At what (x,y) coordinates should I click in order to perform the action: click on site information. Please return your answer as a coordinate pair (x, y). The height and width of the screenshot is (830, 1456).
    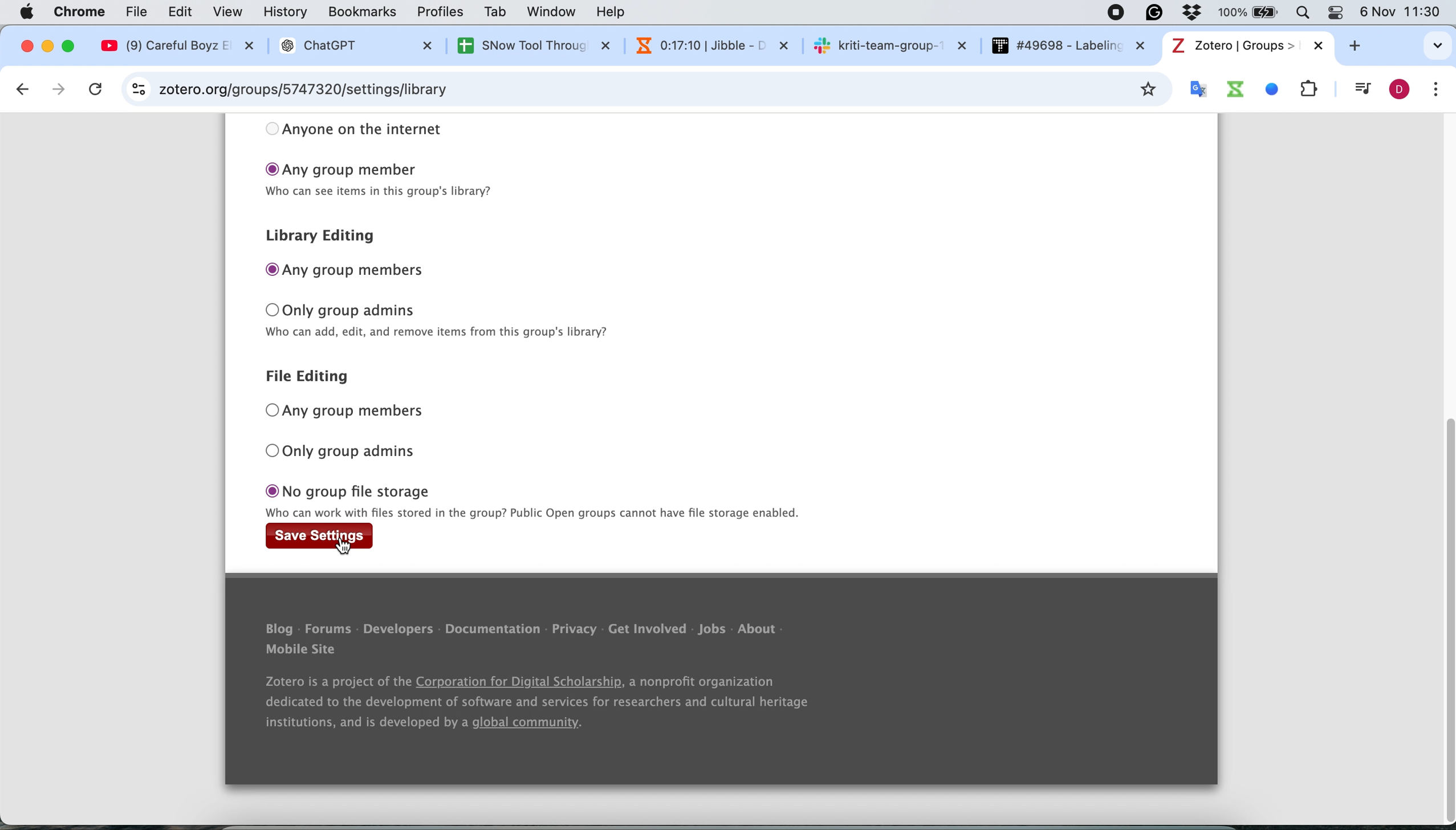
    Looking at the image, I should click on (140, 88).